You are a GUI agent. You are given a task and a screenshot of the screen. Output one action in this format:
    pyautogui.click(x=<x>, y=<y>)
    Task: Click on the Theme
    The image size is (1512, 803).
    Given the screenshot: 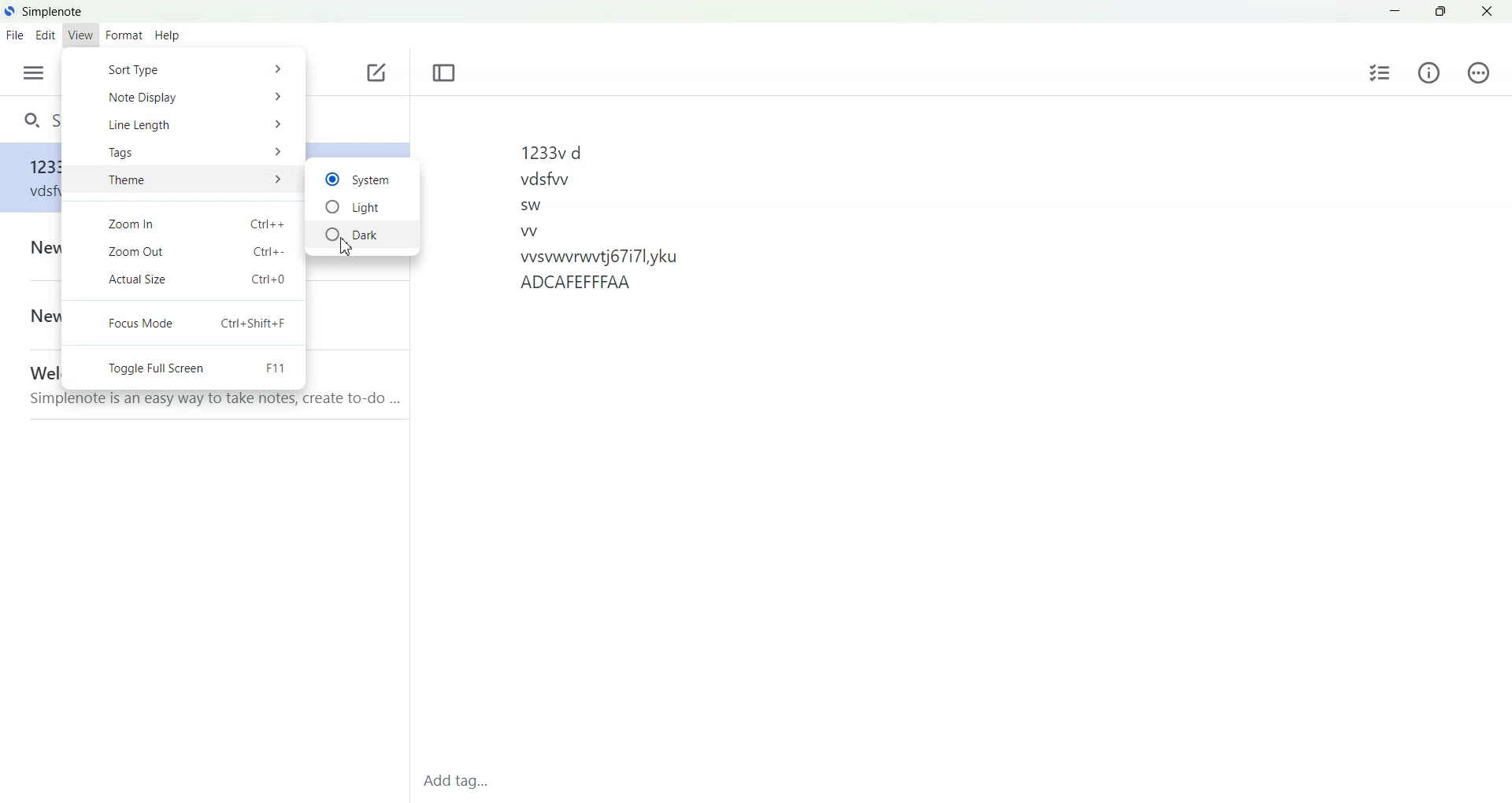 What is the action you would take?
    pyautogui.click(x=183, y=181)
    